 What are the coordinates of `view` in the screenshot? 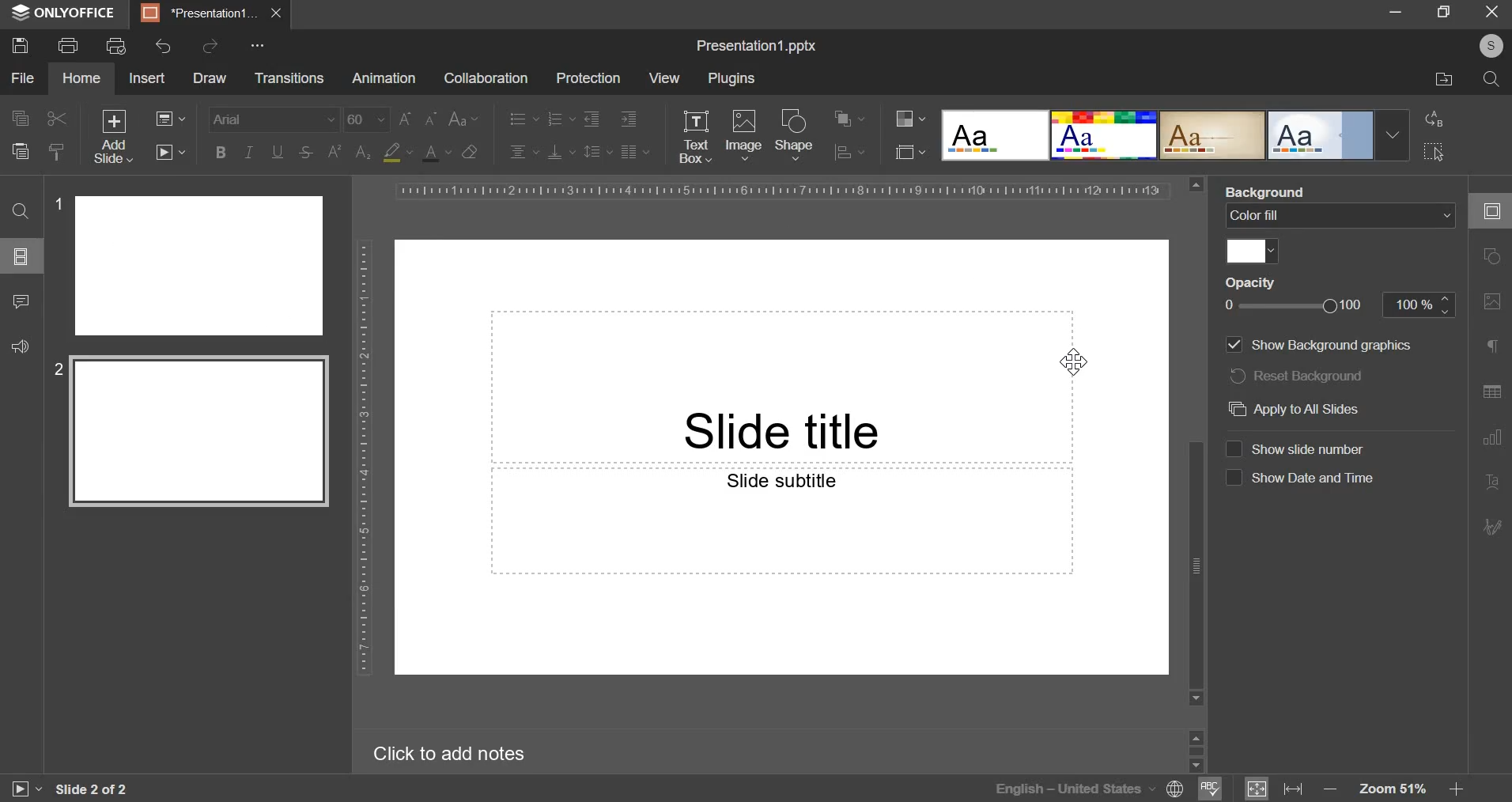 It's located at (663, 78).